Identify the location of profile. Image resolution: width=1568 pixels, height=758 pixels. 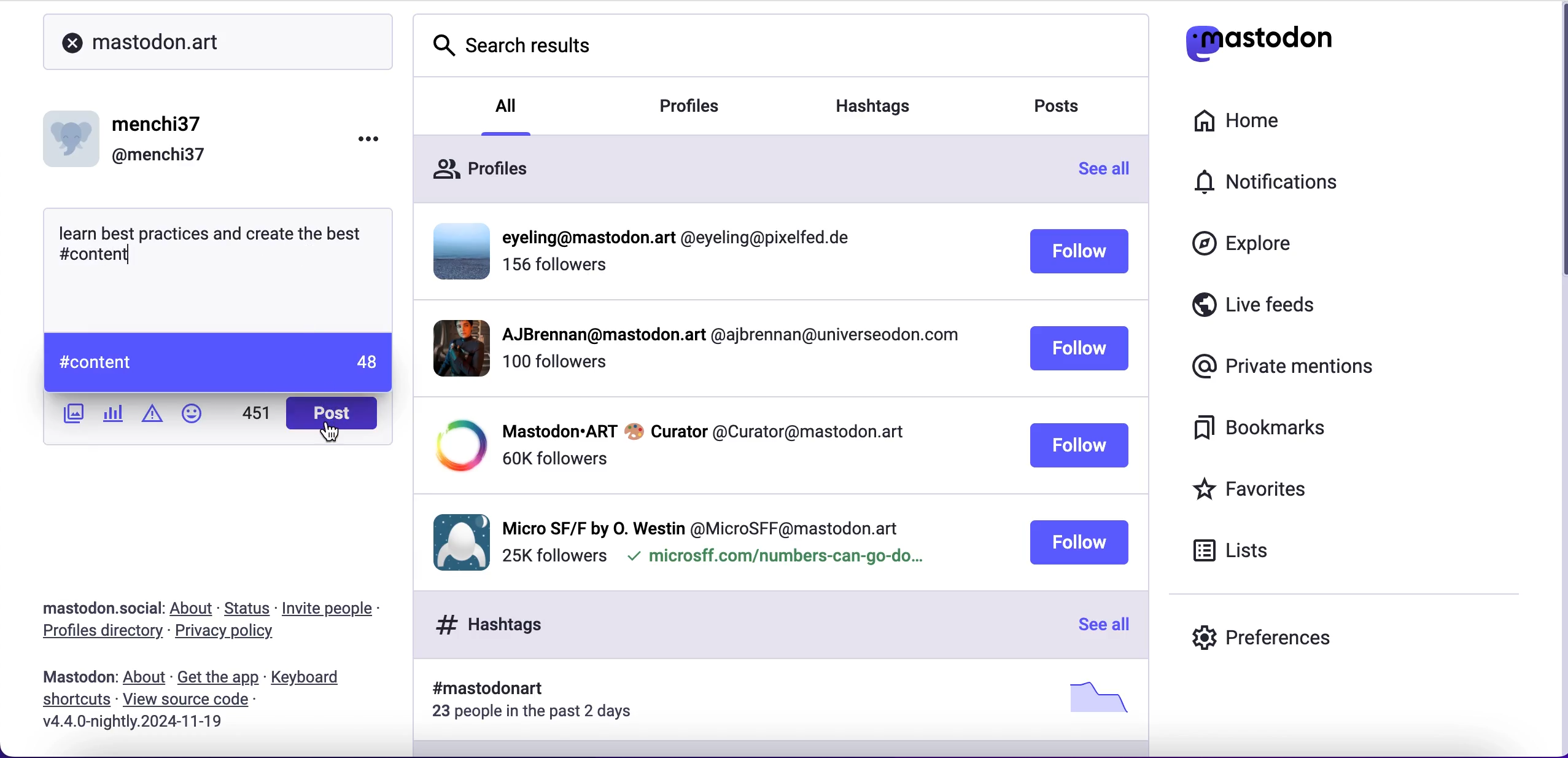
(728, 338).